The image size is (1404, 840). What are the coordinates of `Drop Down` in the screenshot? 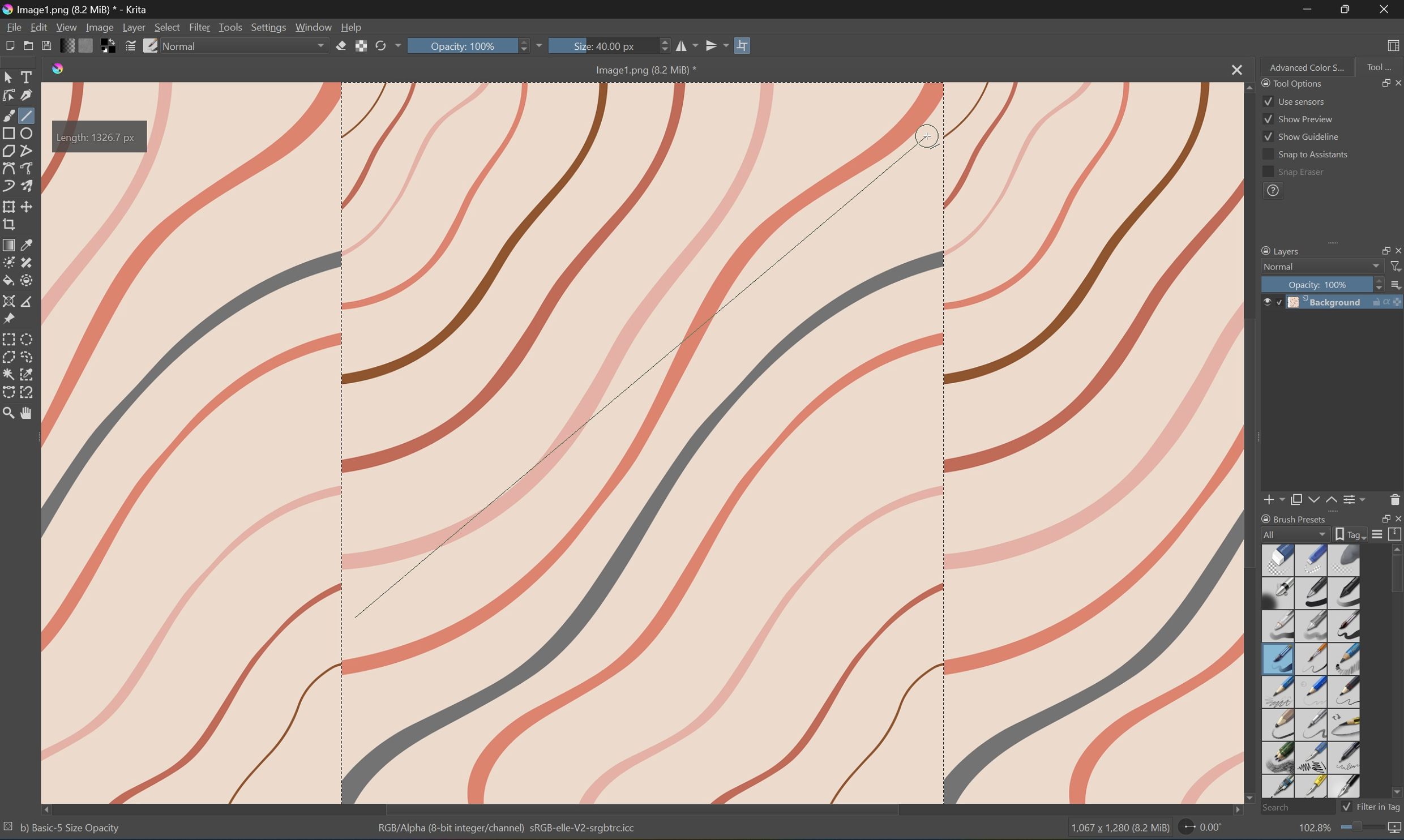 It's located at (397, 46).